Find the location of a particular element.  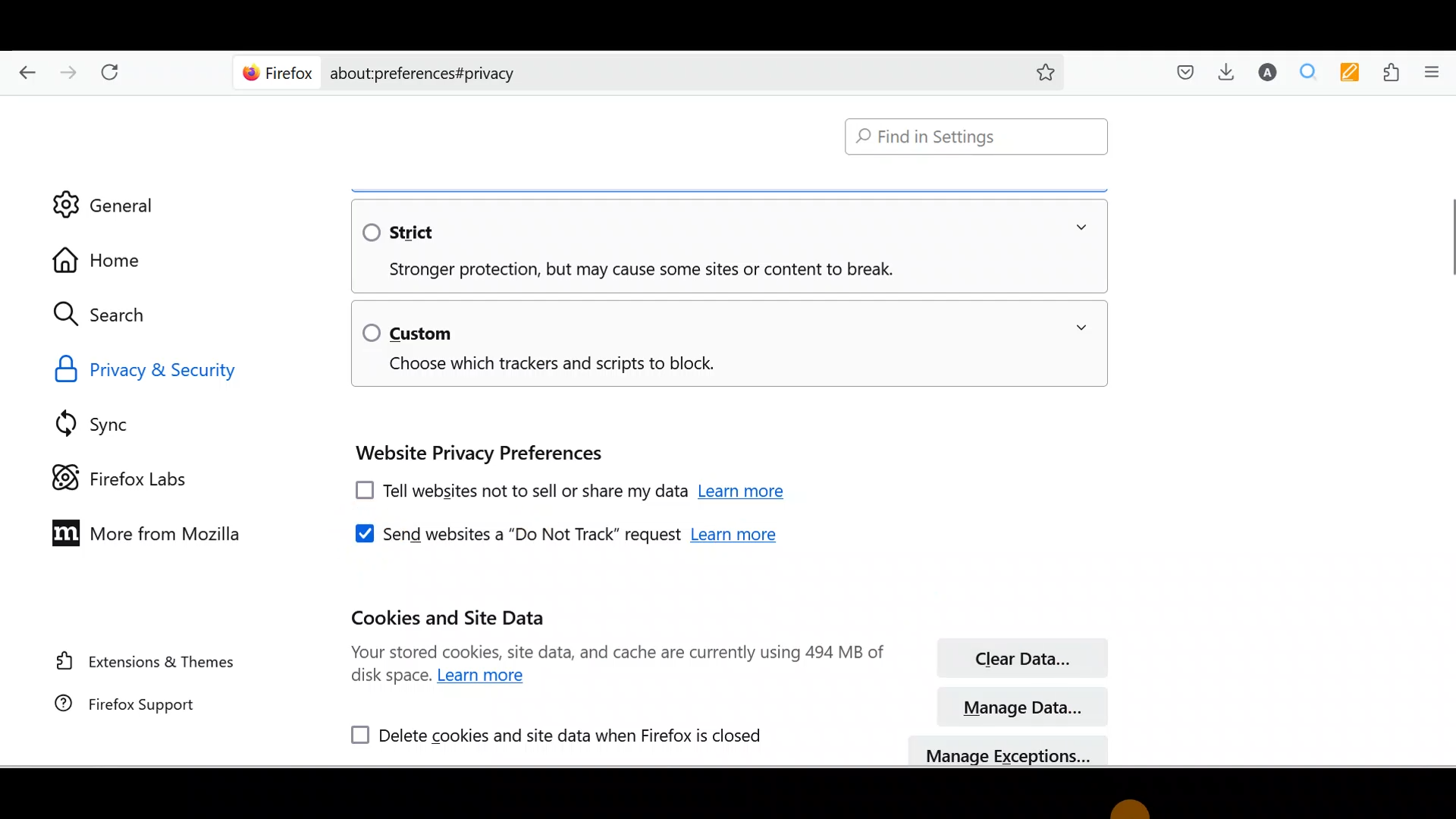

Extension & themes is located at coordinates (145, 664).